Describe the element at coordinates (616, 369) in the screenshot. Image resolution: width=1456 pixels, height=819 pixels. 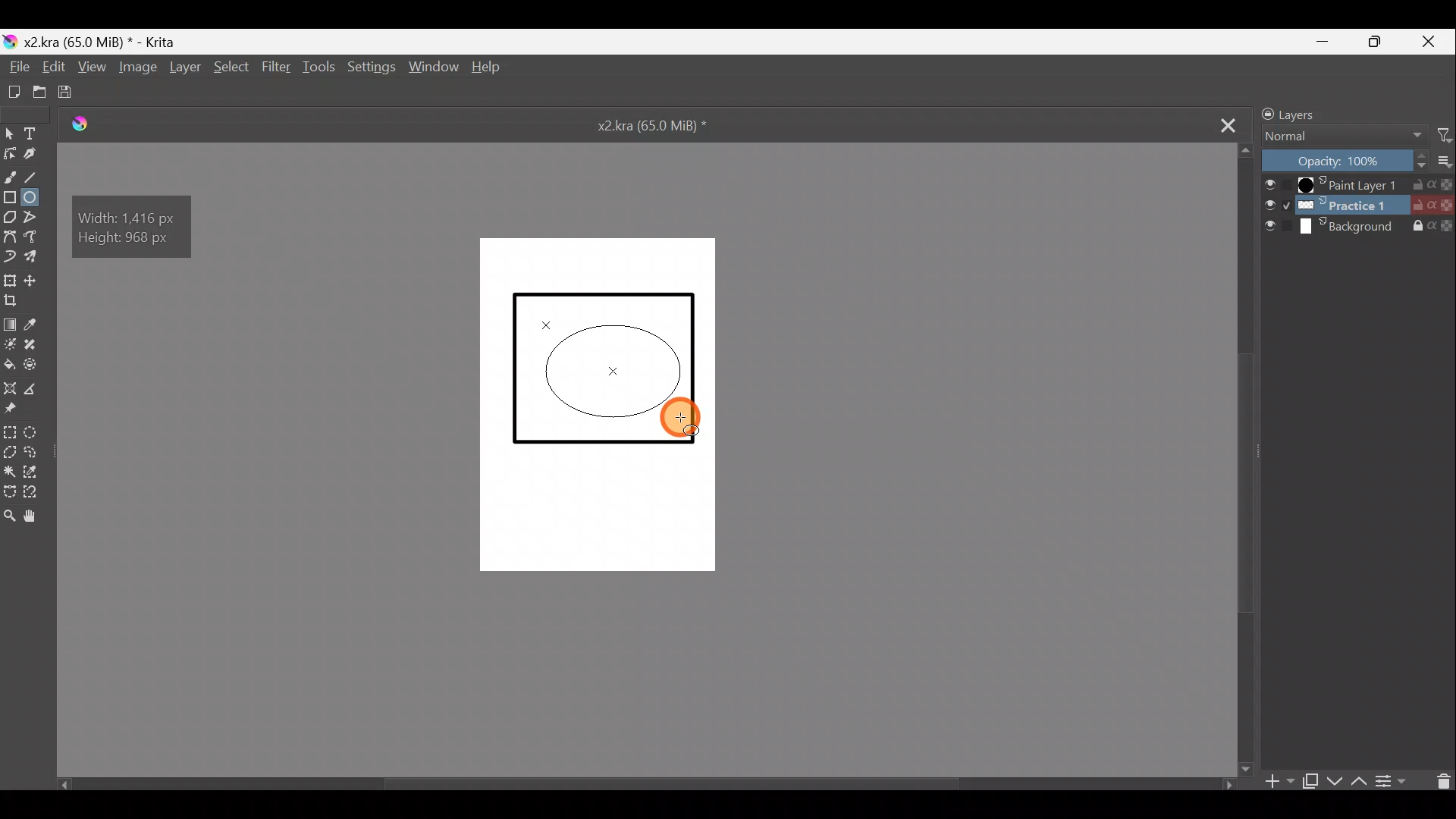
I see `ellipse (circle) on Canvas` at that location.